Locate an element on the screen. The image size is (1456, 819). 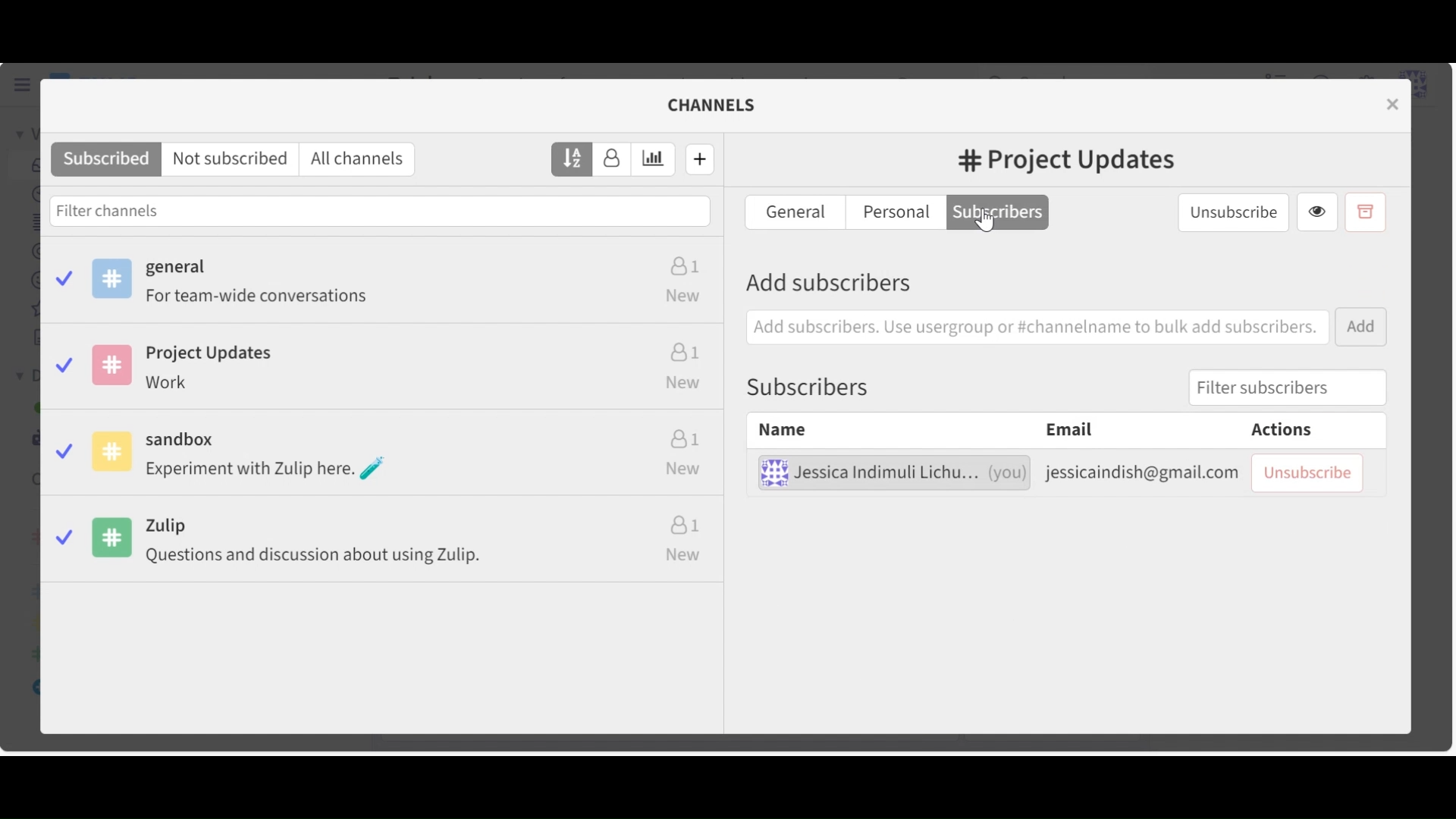
Personal is located at coordinates (895, 212).